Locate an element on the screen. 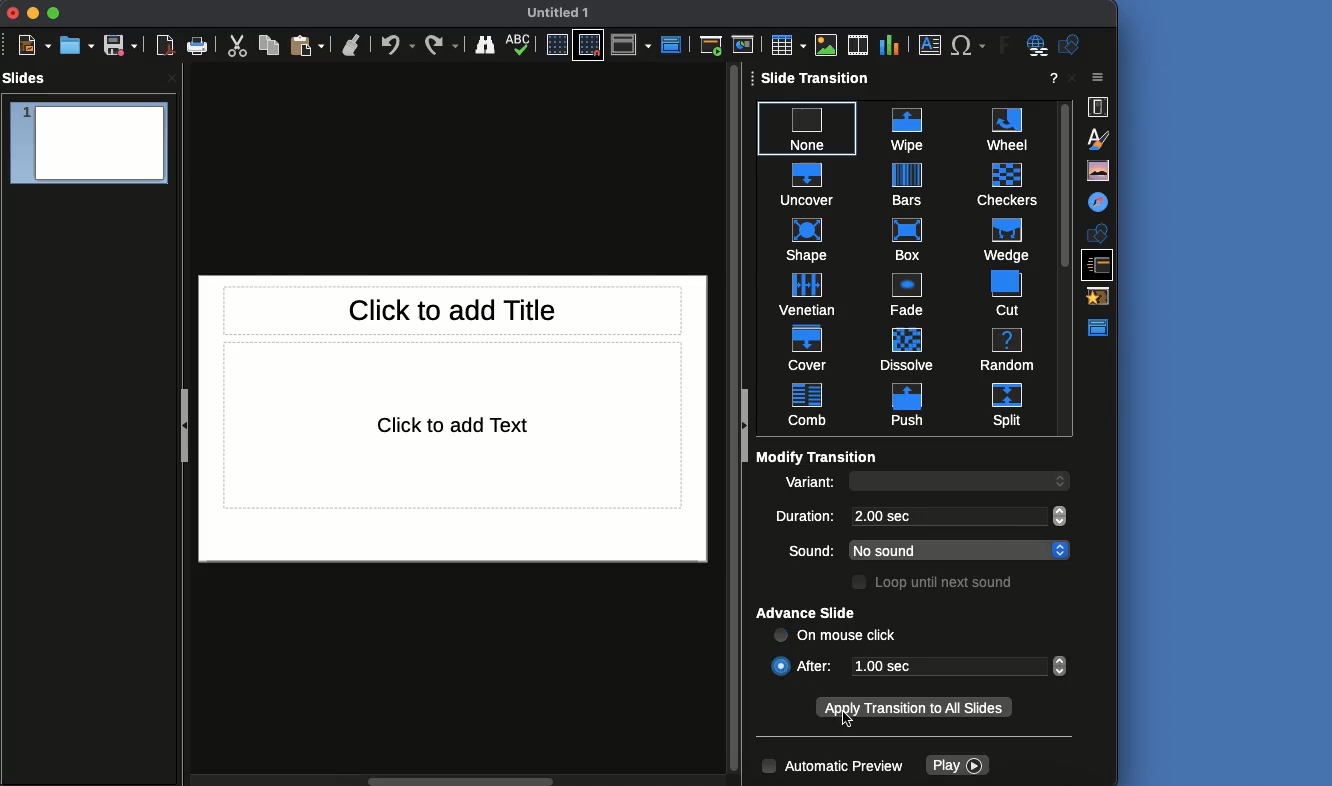 This screenshot has width=1332, height=786. Play is located at coordinates (957, 766).